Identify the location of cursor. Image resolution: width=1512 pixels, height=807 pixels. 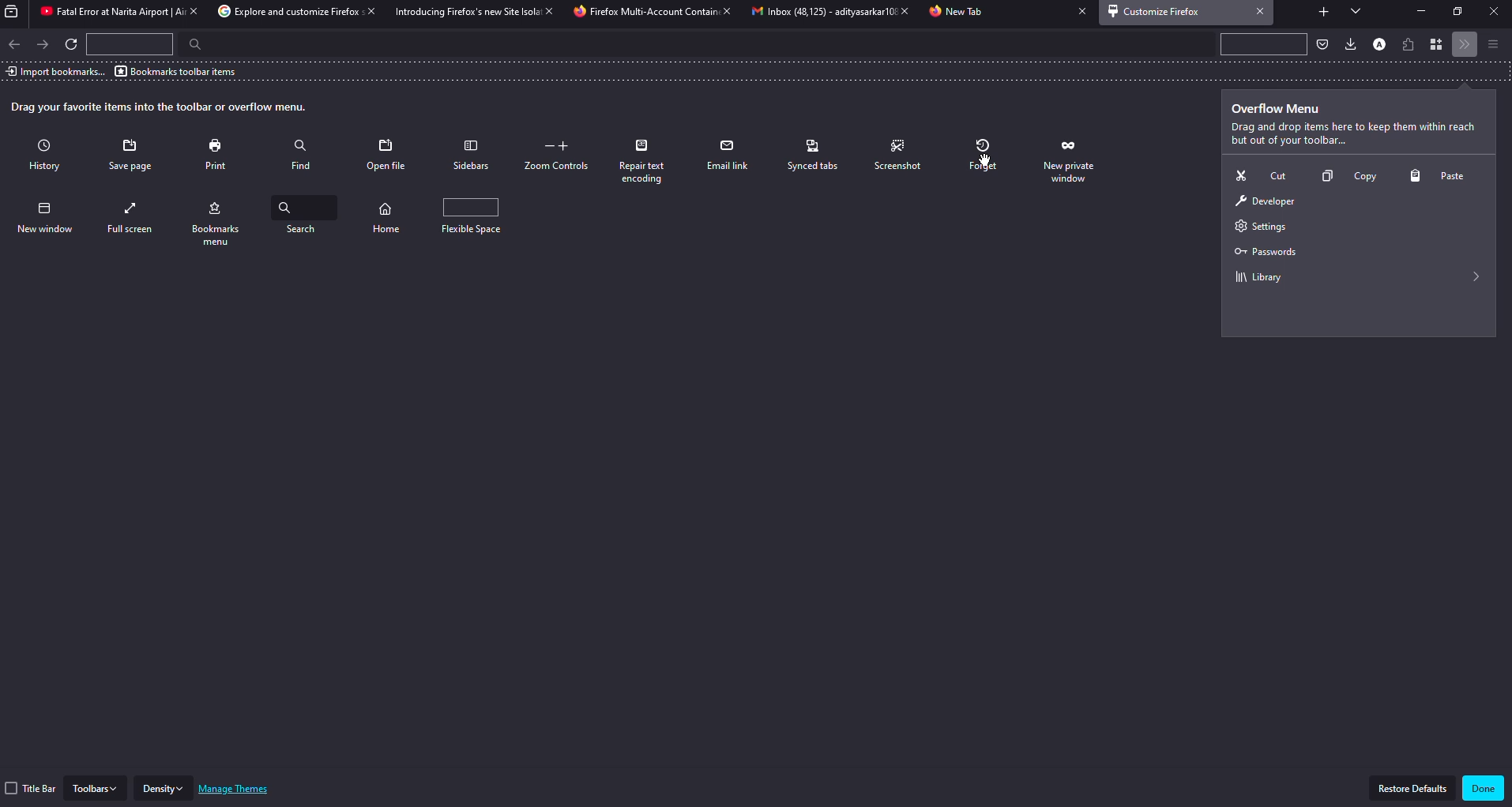
(987, 160).